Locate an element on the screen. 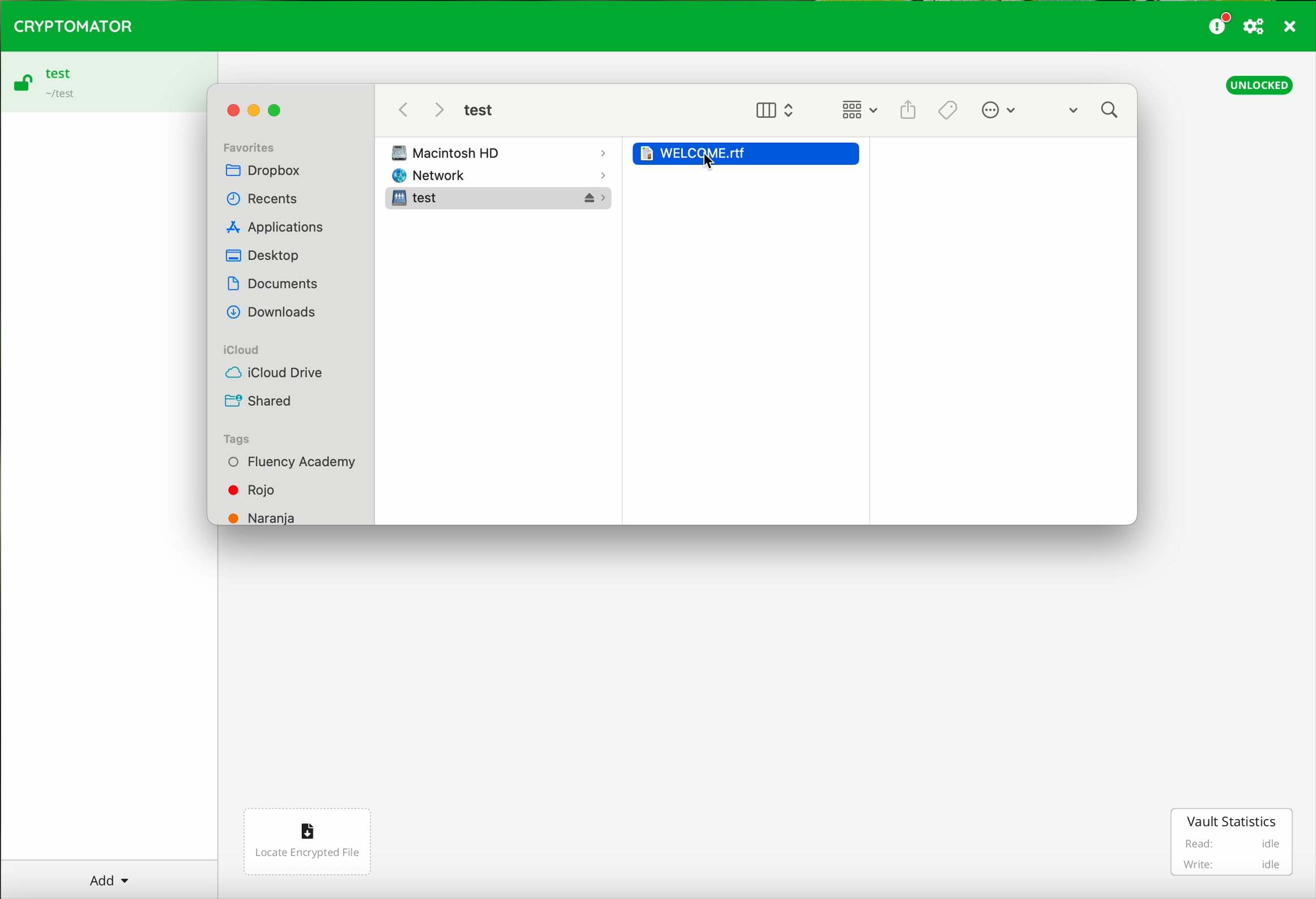 Image resolution: width=1316 pixels, height=899 pixels. test is located at coordinates (58, 73).